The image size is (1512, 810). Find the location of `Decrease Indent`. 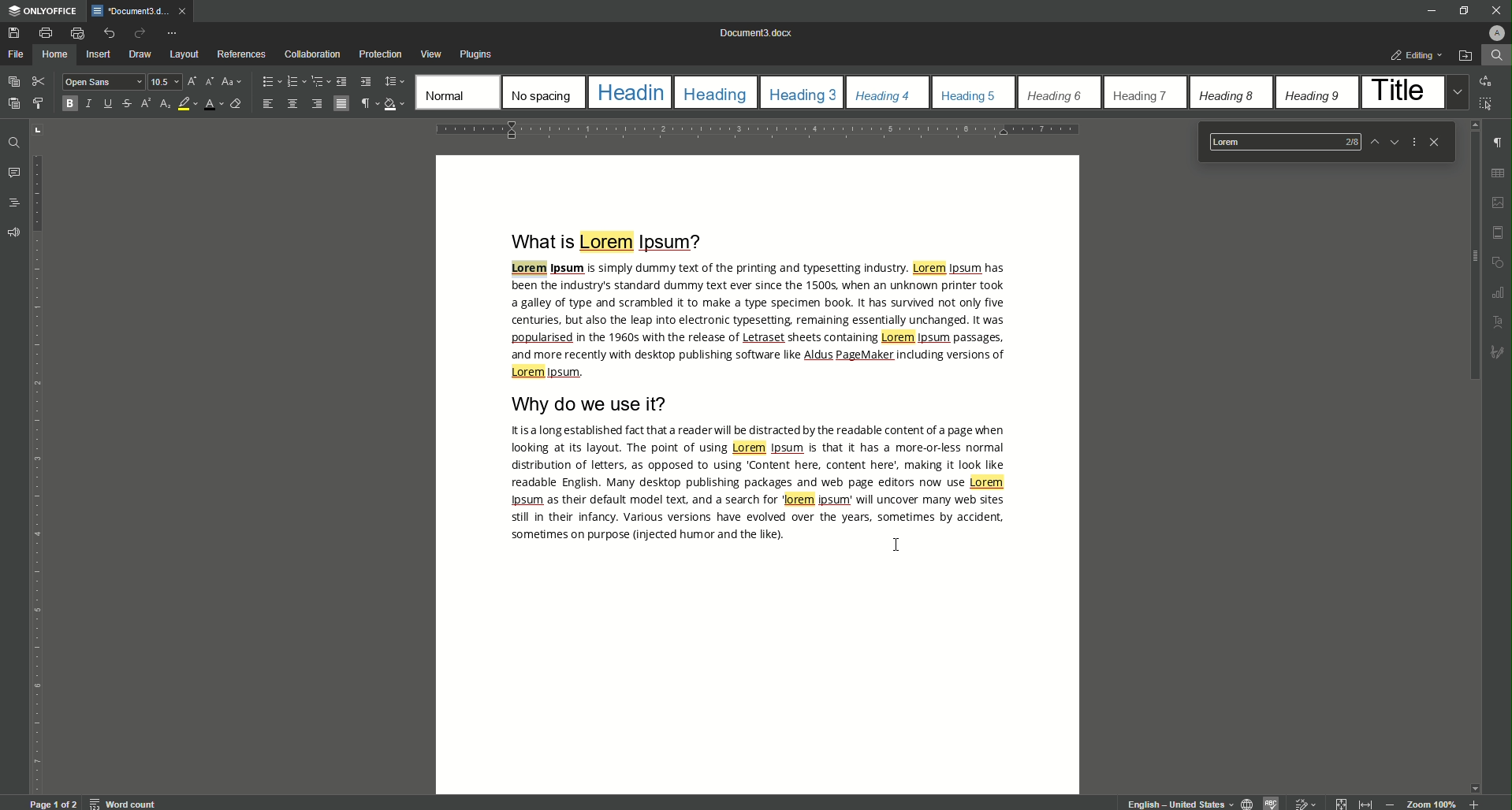

Decrease Indent is located at coordinates (343, 81).